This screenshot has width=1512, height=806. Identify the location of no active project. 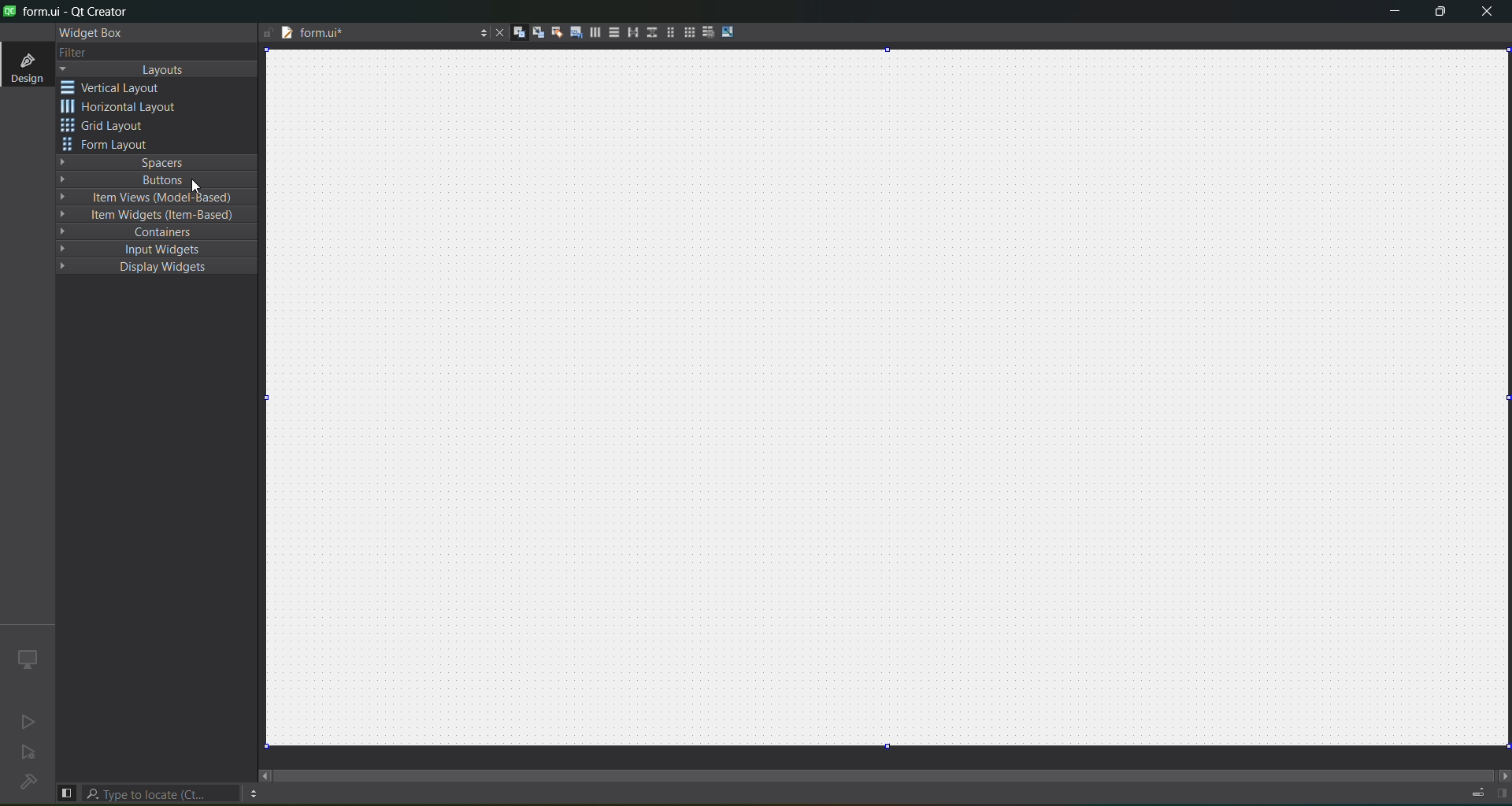
(29, 755).